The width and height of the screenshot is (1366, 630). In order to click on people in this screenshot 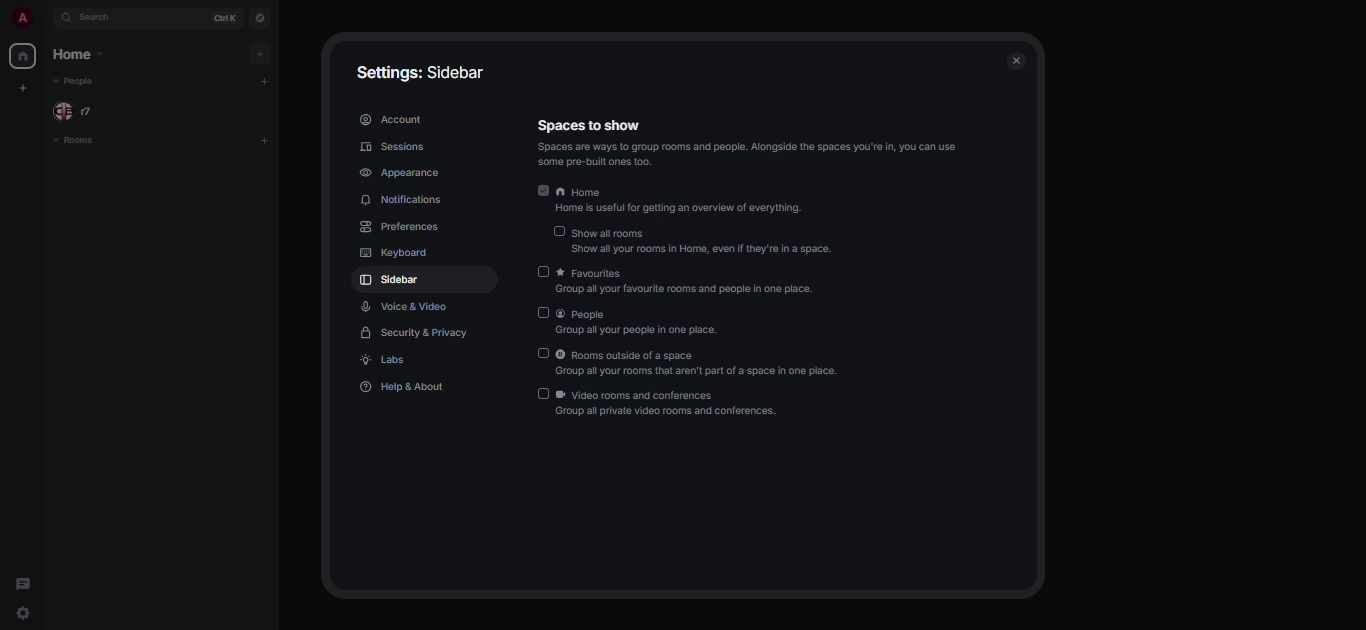, I will do `click(594, 313)`.